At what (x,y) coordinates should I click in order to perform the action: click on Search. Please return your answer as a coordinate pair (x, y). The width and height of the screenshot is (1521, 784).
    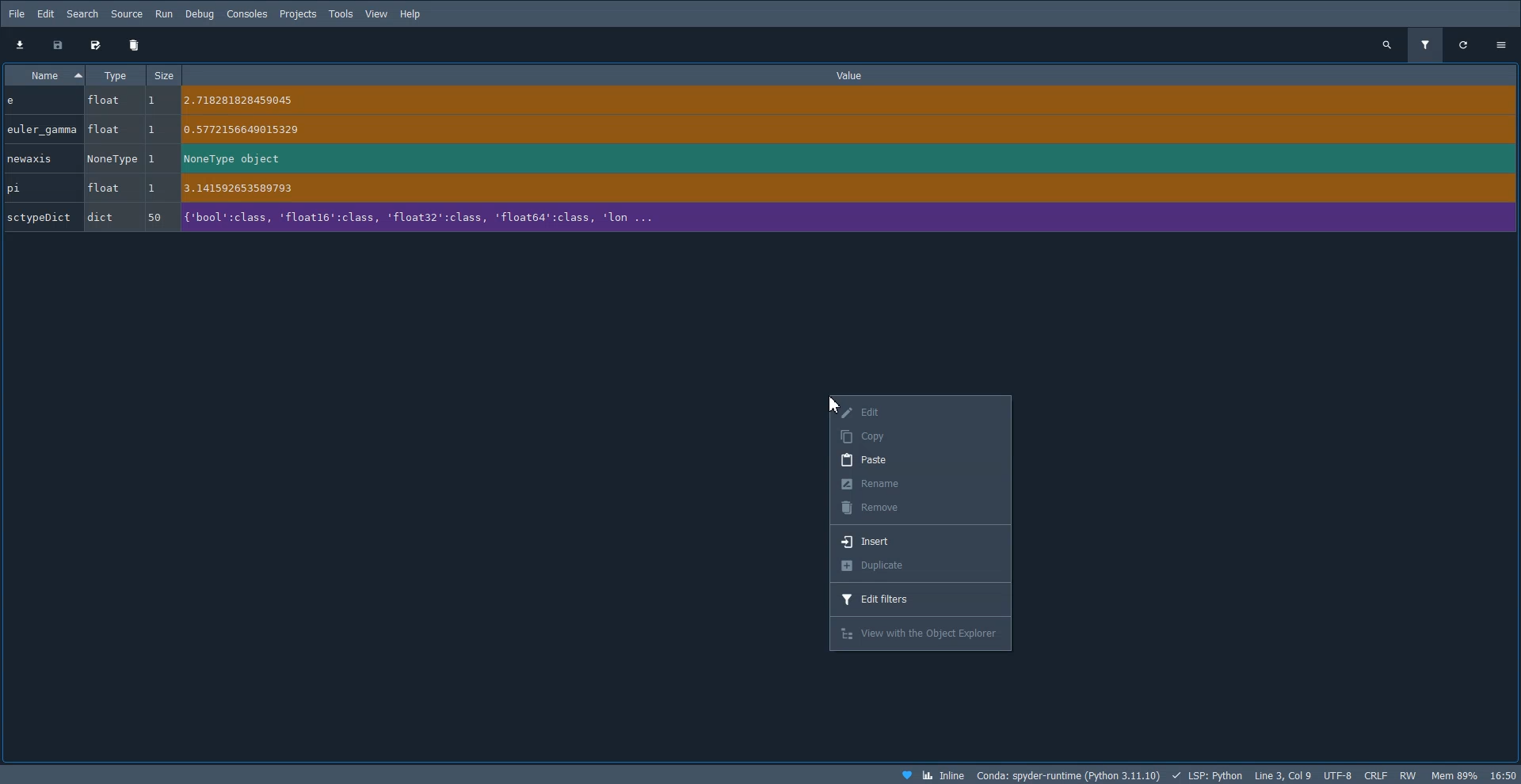
    Looking at the image, I should click on (82, 13).